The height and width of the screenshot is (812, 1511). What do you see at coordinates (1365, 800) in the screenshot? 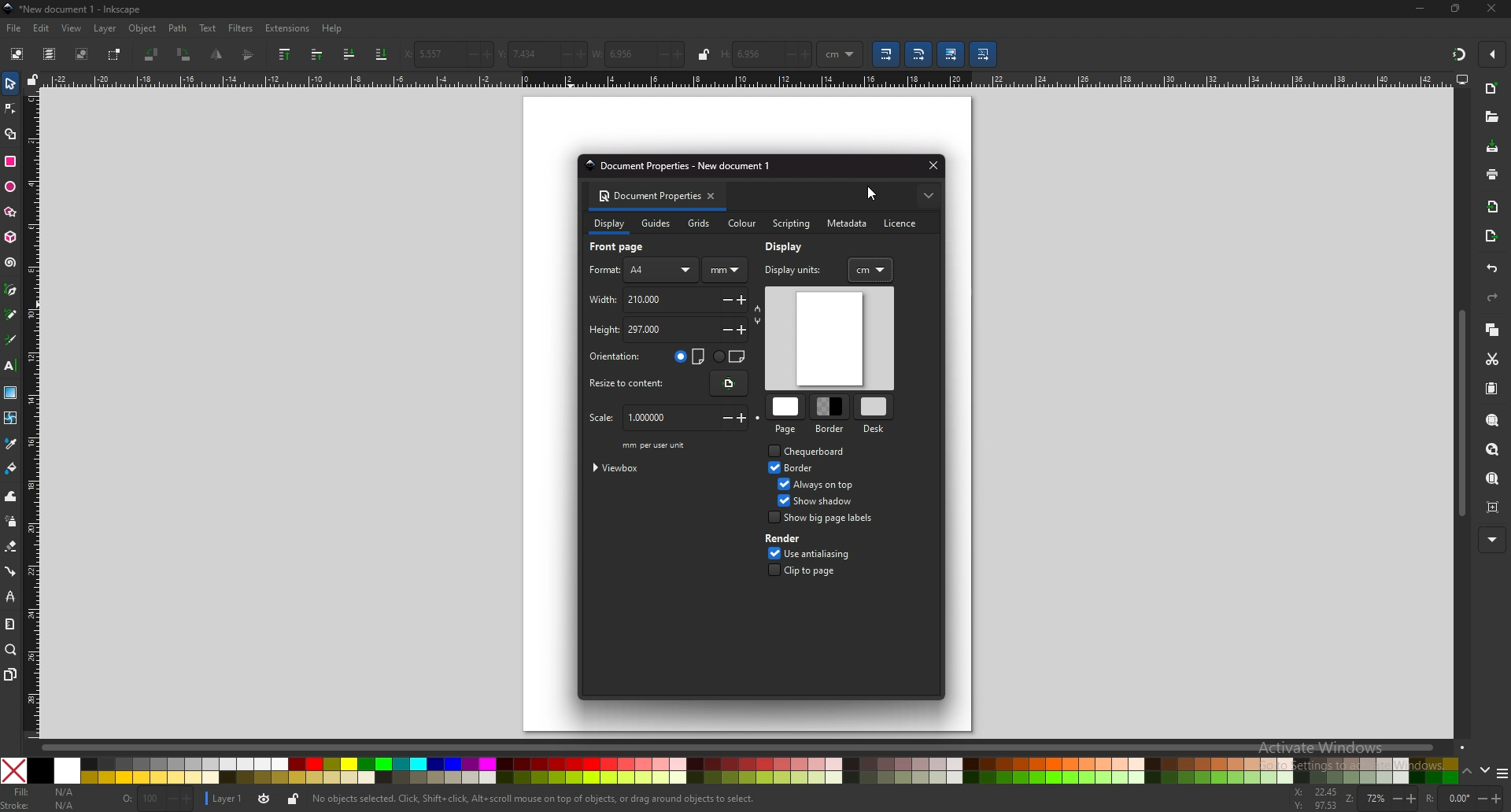
I see `zoom` at bounding box center [1365, 800].